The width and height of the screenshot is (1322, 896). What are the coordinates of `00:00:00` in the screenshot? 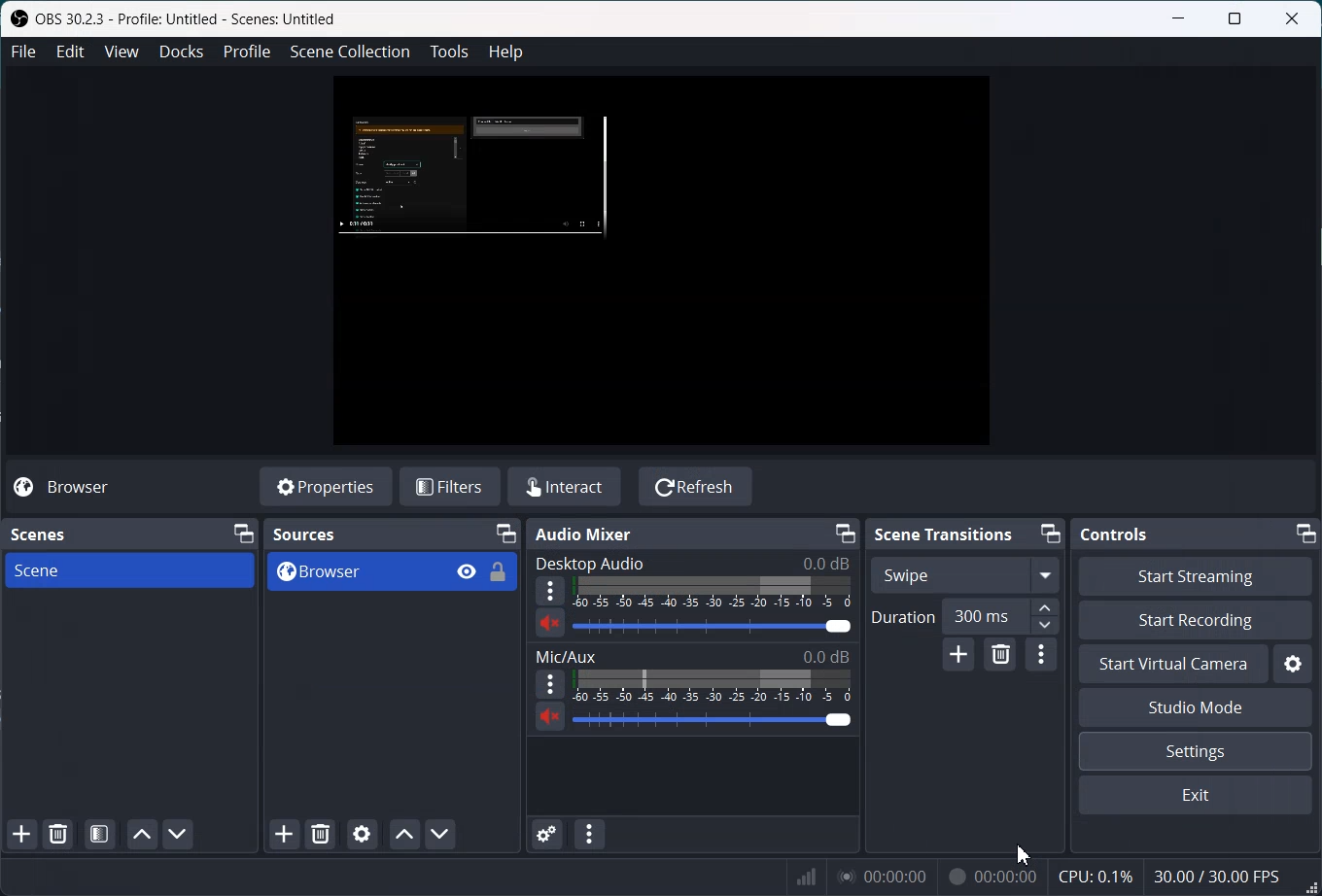 It's located at (991, 875).